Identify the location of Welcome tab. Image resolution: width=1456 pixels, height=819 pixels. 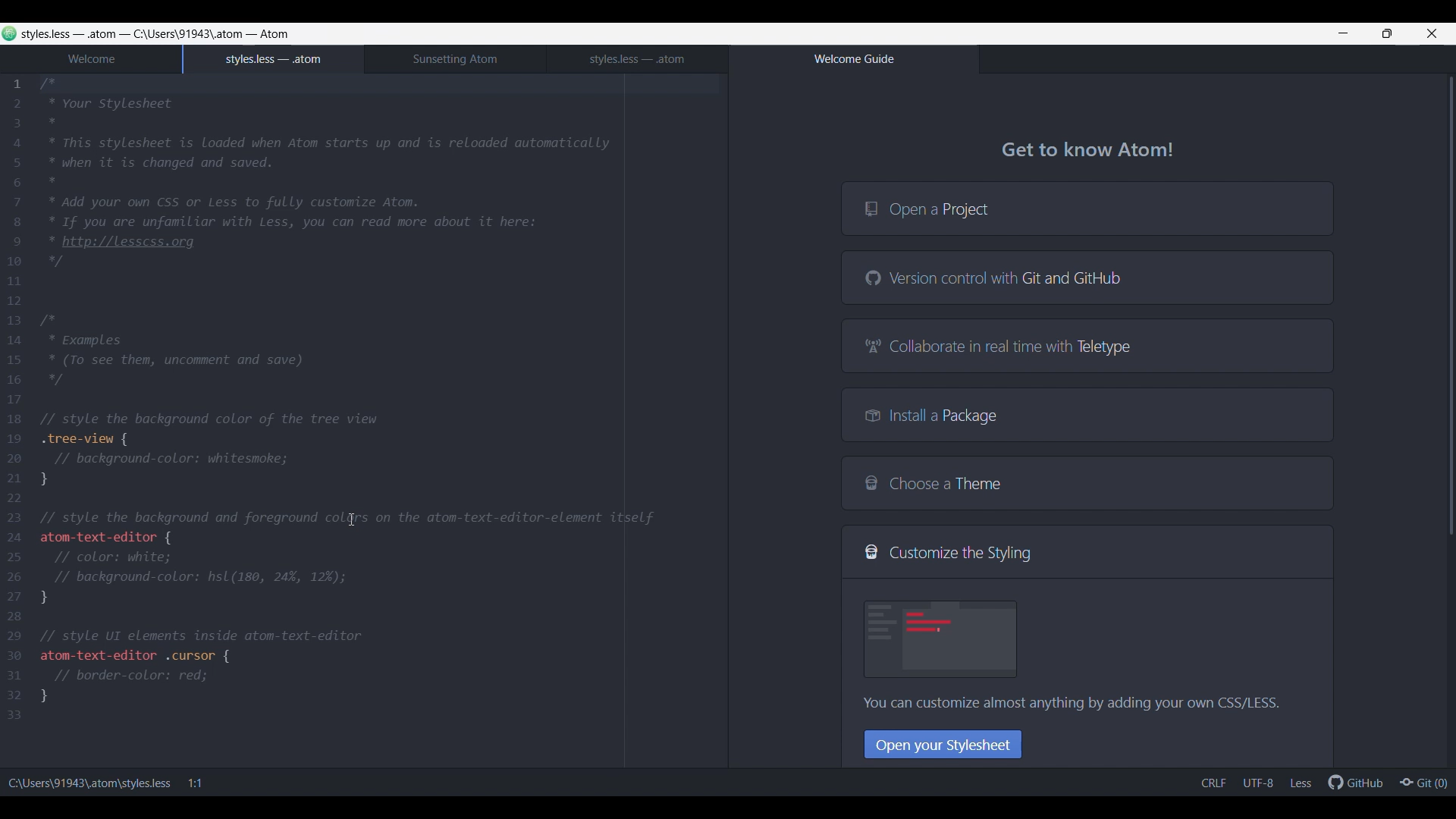
(91, 60).